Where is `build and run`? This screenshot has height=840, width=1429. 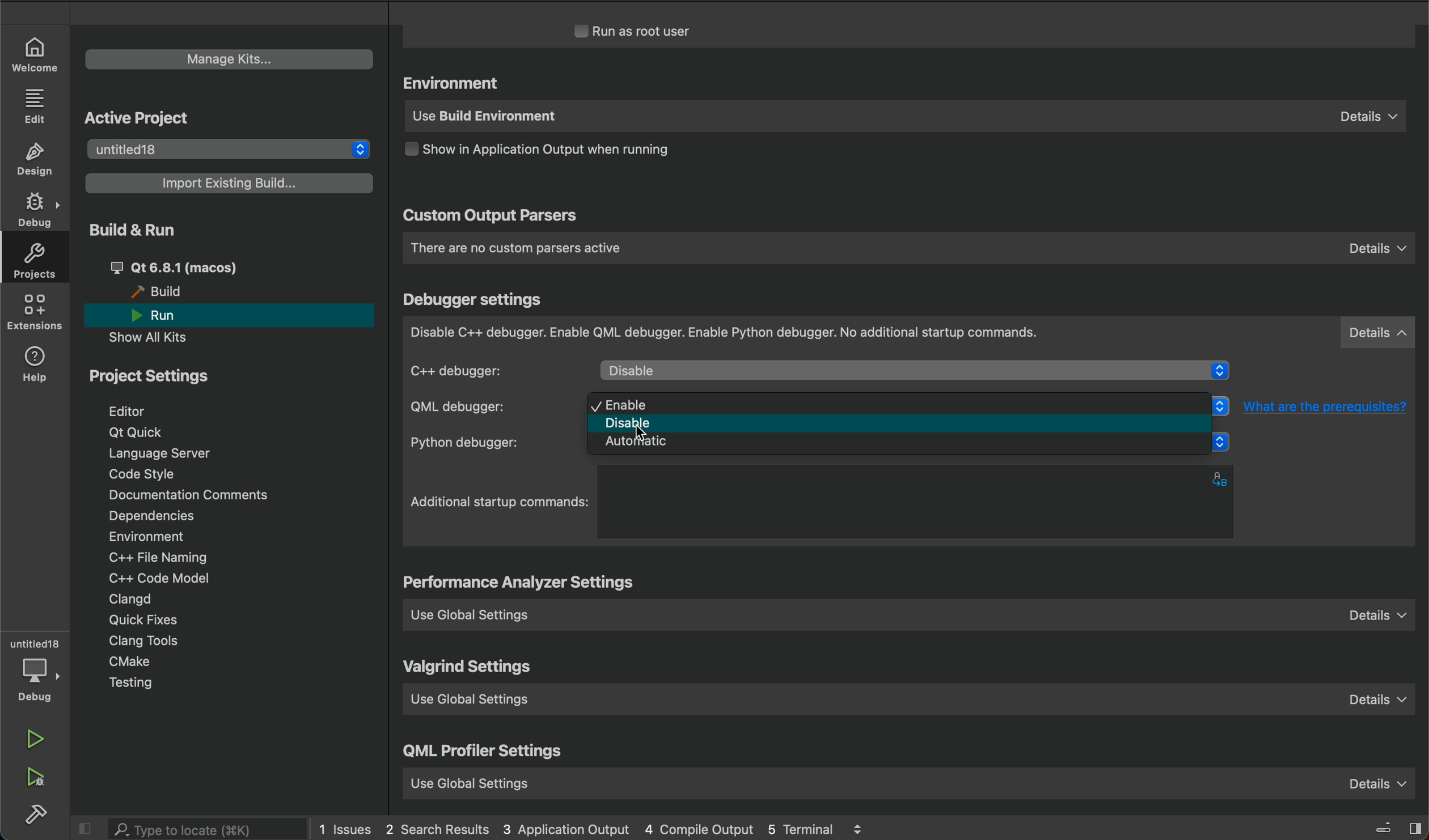
build and run is located at coordinates (130, 229).